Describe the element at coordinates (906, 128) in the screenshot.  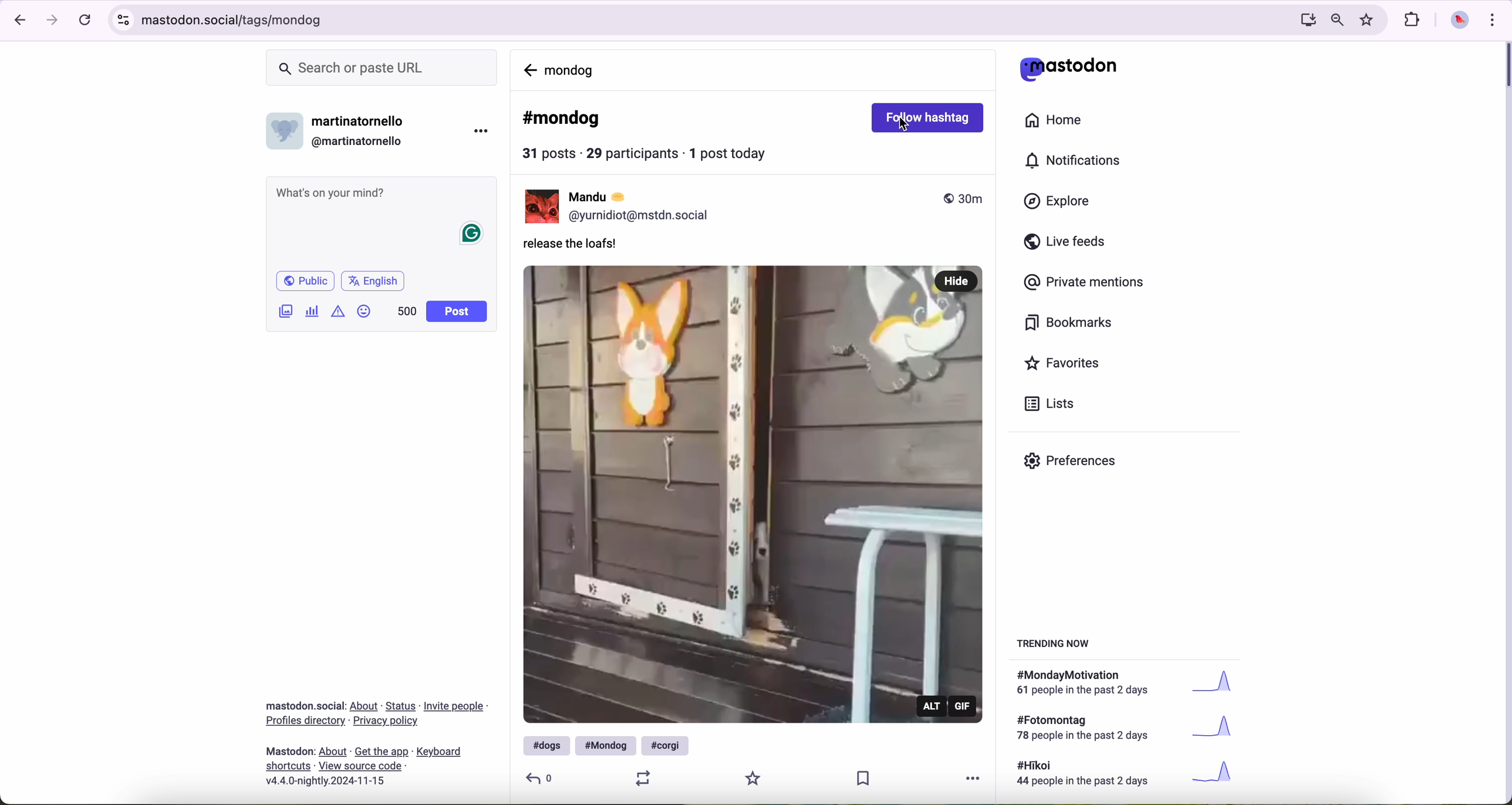
I see `cursor` at that location.